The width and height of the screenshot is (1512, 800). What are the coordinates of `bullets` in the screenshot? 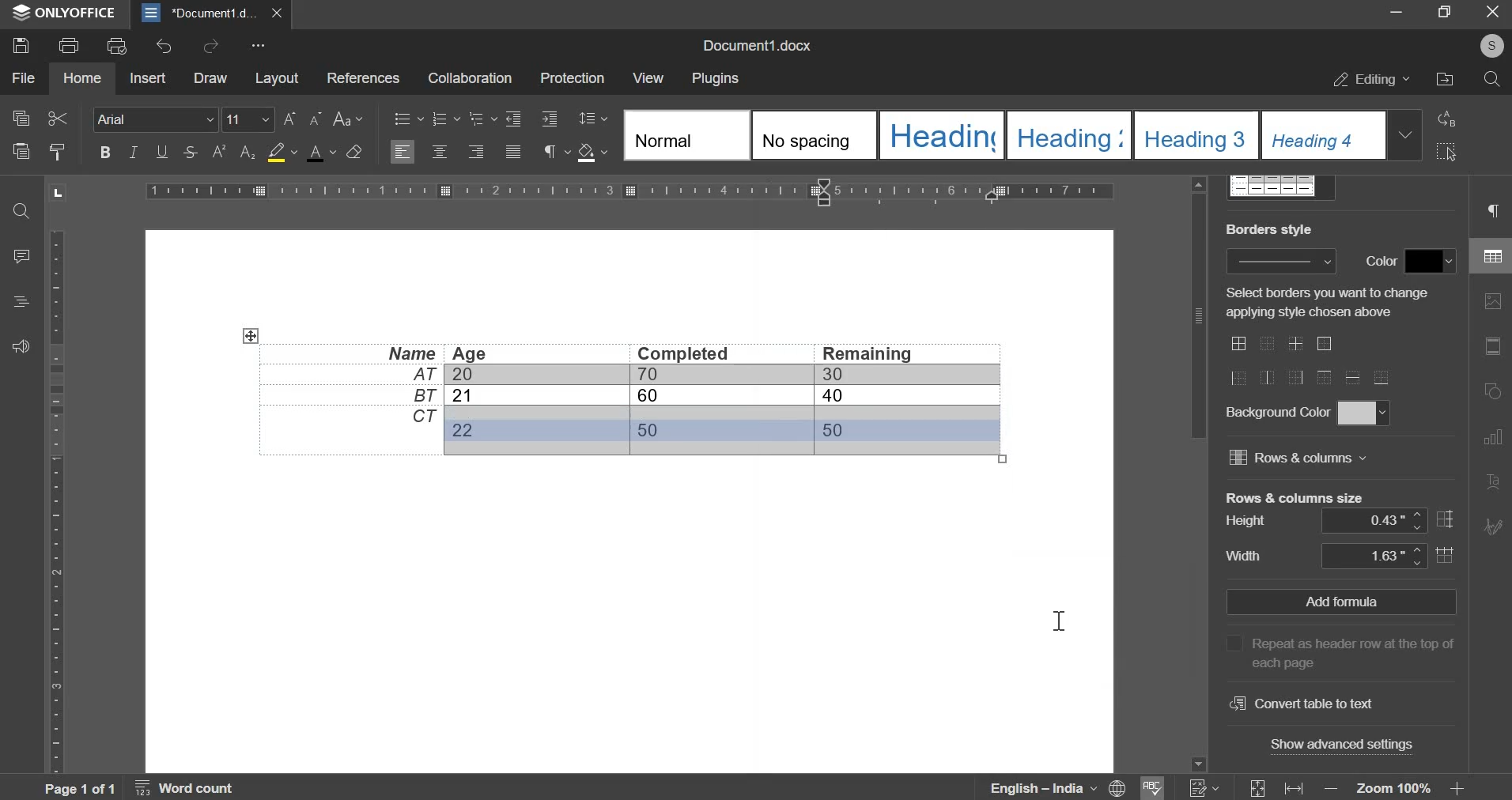 It's located at (408, 117).